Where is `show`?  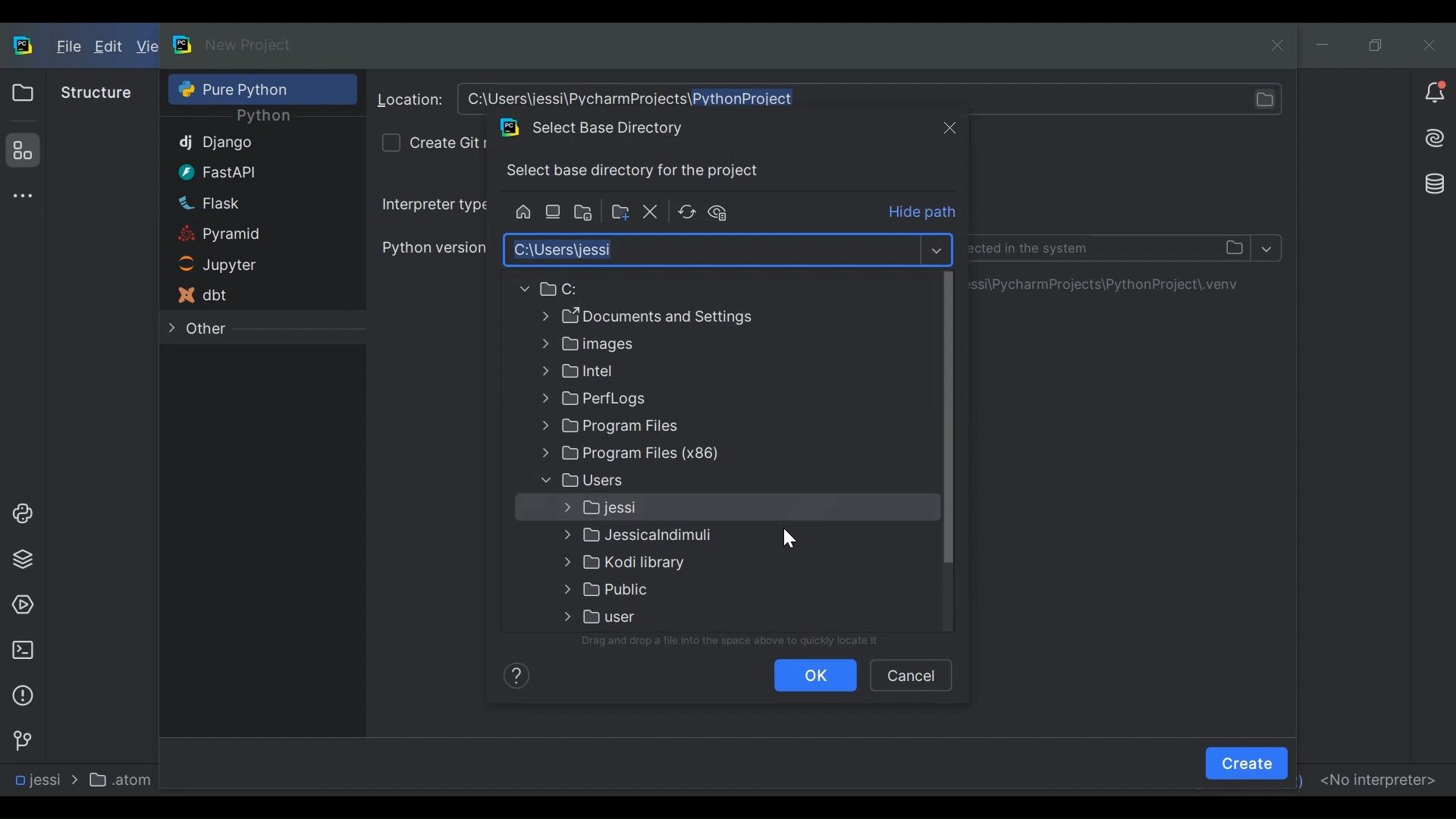 show is located at coordinates (936, 249).